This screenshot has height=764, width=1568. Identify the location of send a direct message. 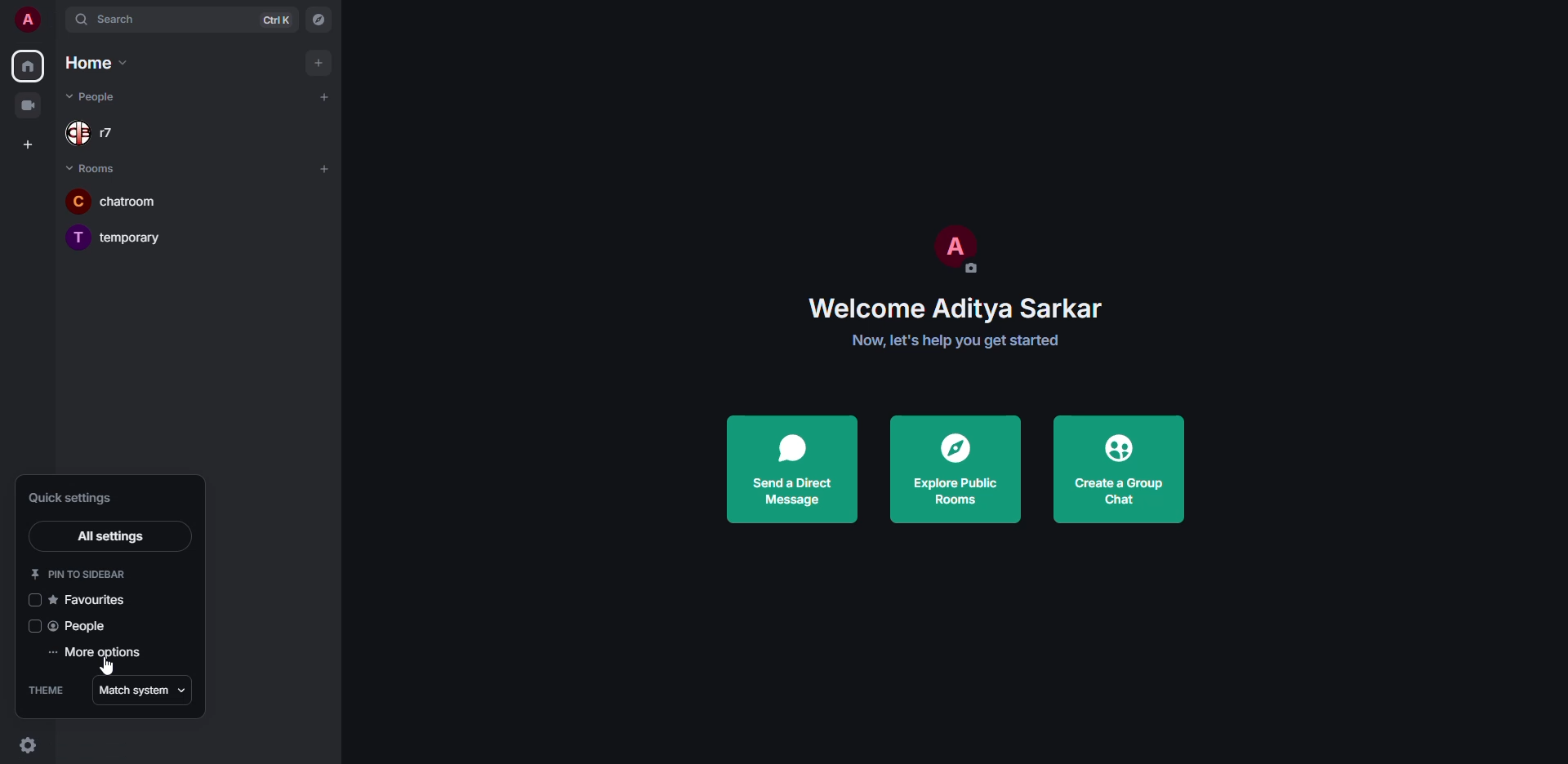
(794, 470).